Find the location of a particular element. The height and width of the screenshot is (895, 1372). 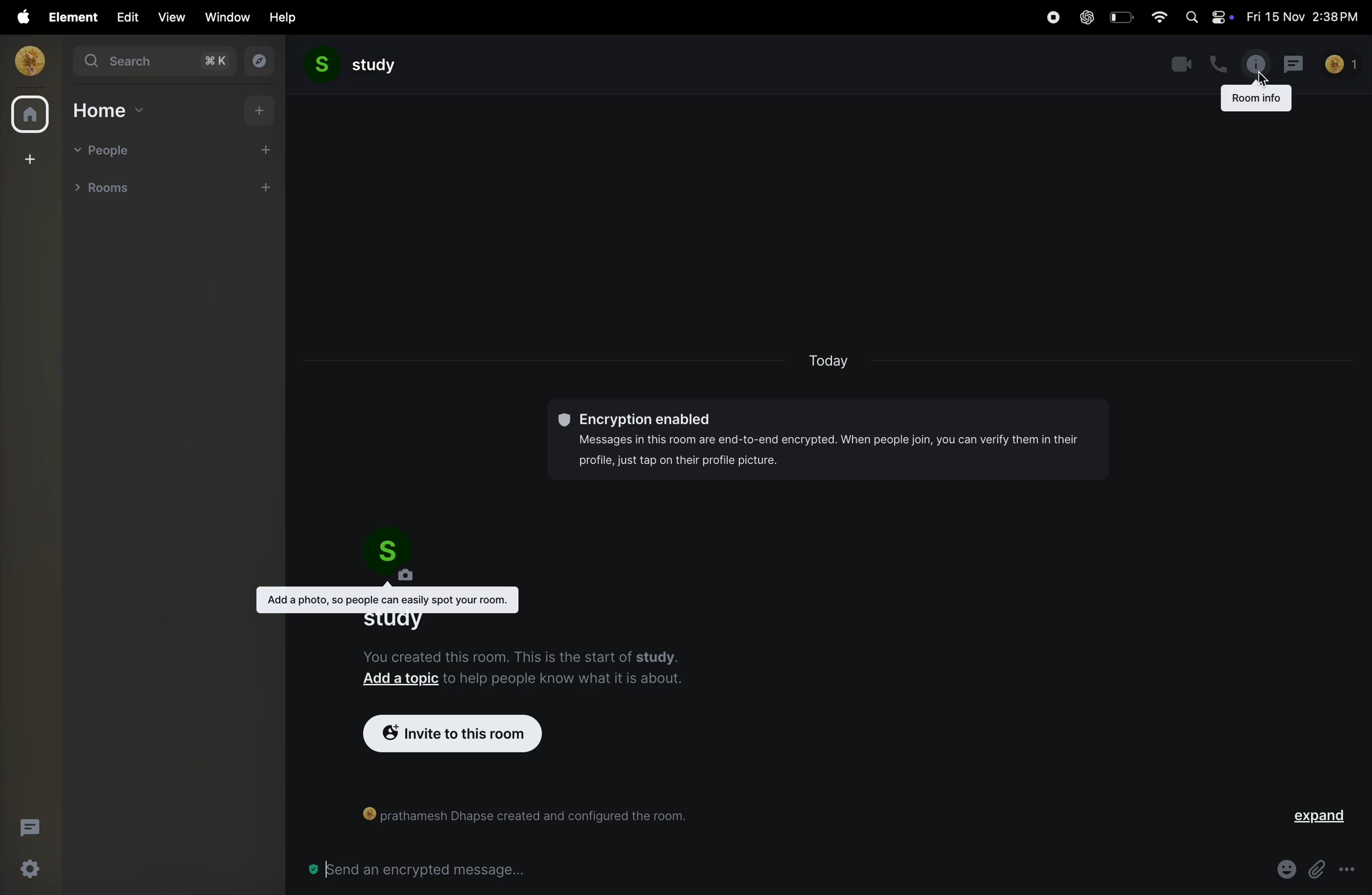

to help people know what it is about. is located at coordinates (560, 674).